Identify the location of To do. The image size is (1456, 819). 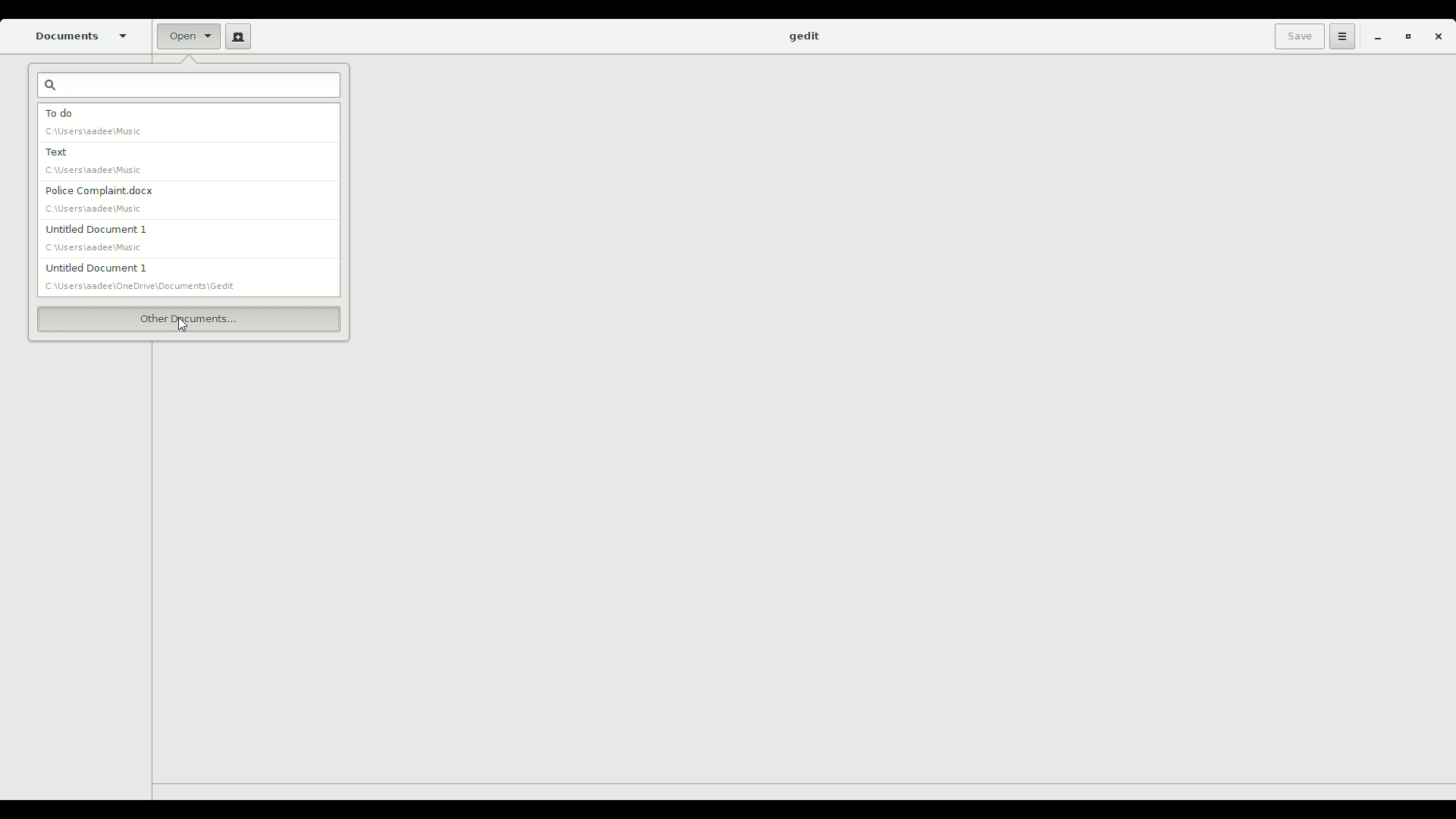
(96, 122).